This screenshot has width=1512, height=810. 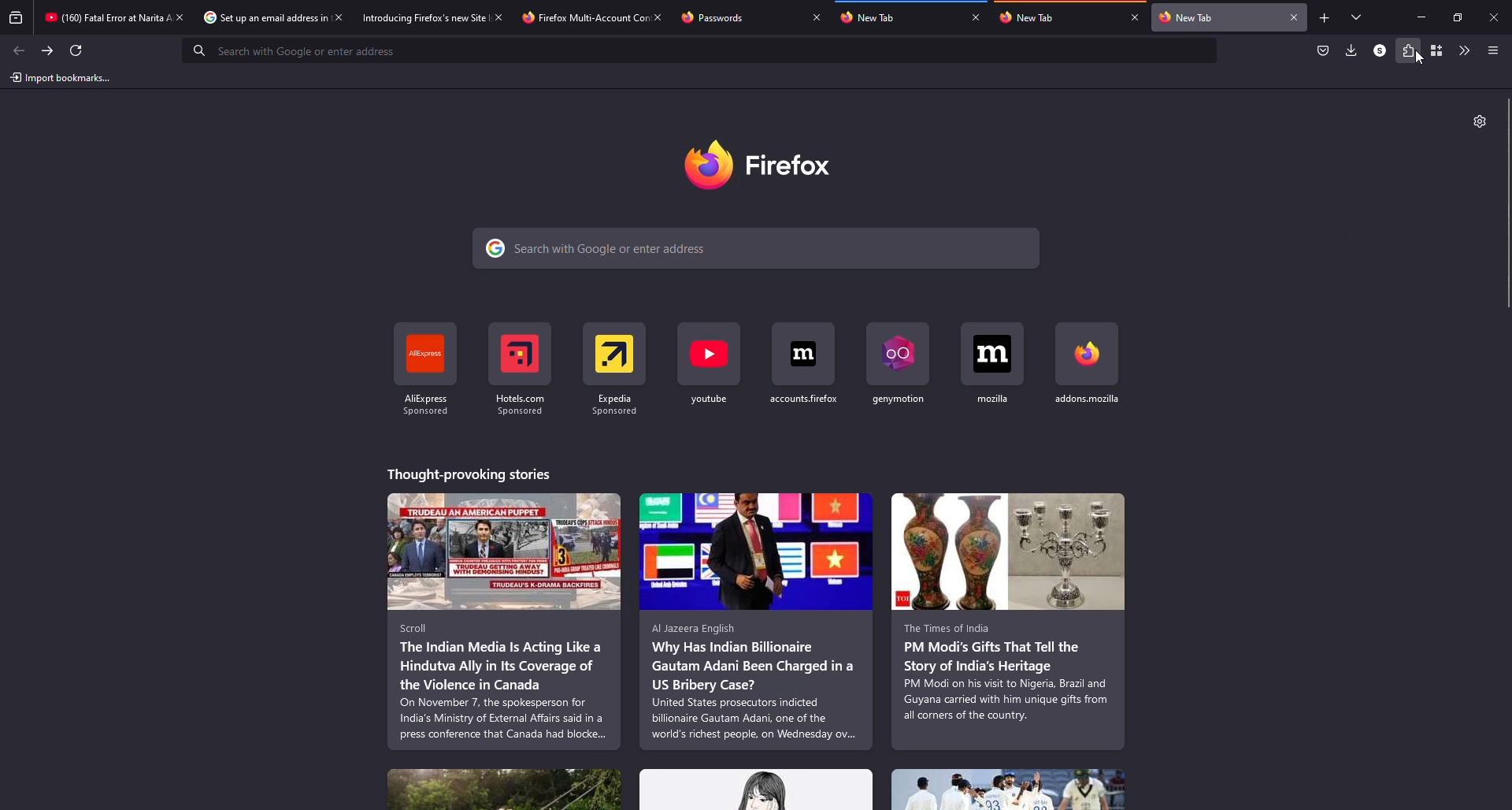 I want to click on close, so click(x=817, y=17).